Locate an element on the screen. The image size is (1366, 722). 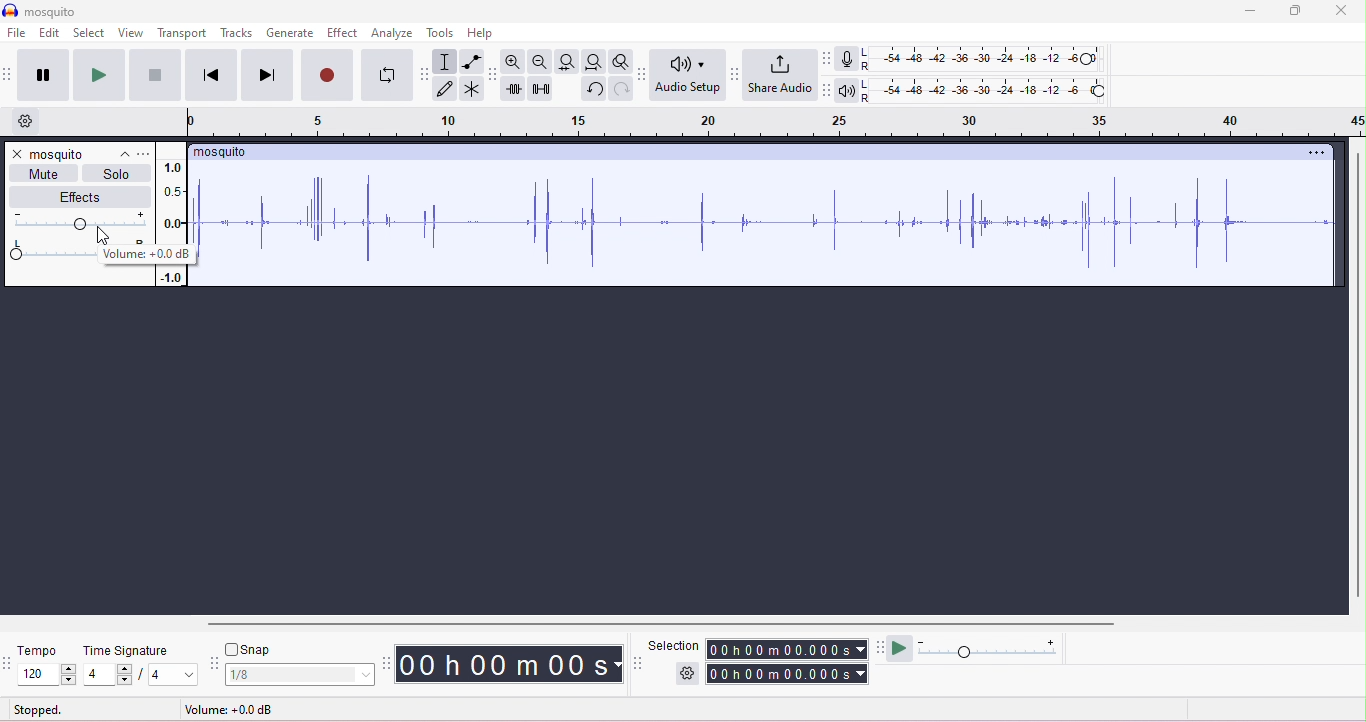
pan is located at coordinates (48, 251).